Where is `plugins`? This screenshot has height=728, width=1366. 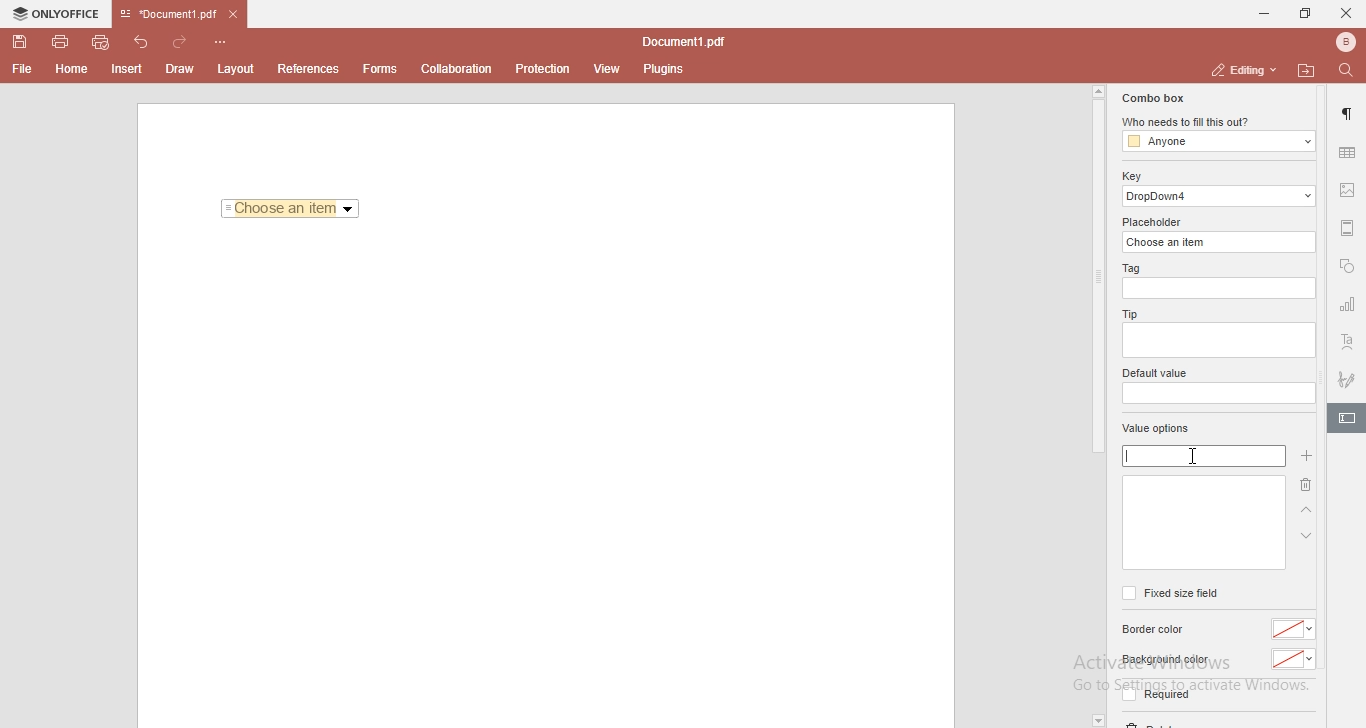 plugins is located at coordinates (664, 70).